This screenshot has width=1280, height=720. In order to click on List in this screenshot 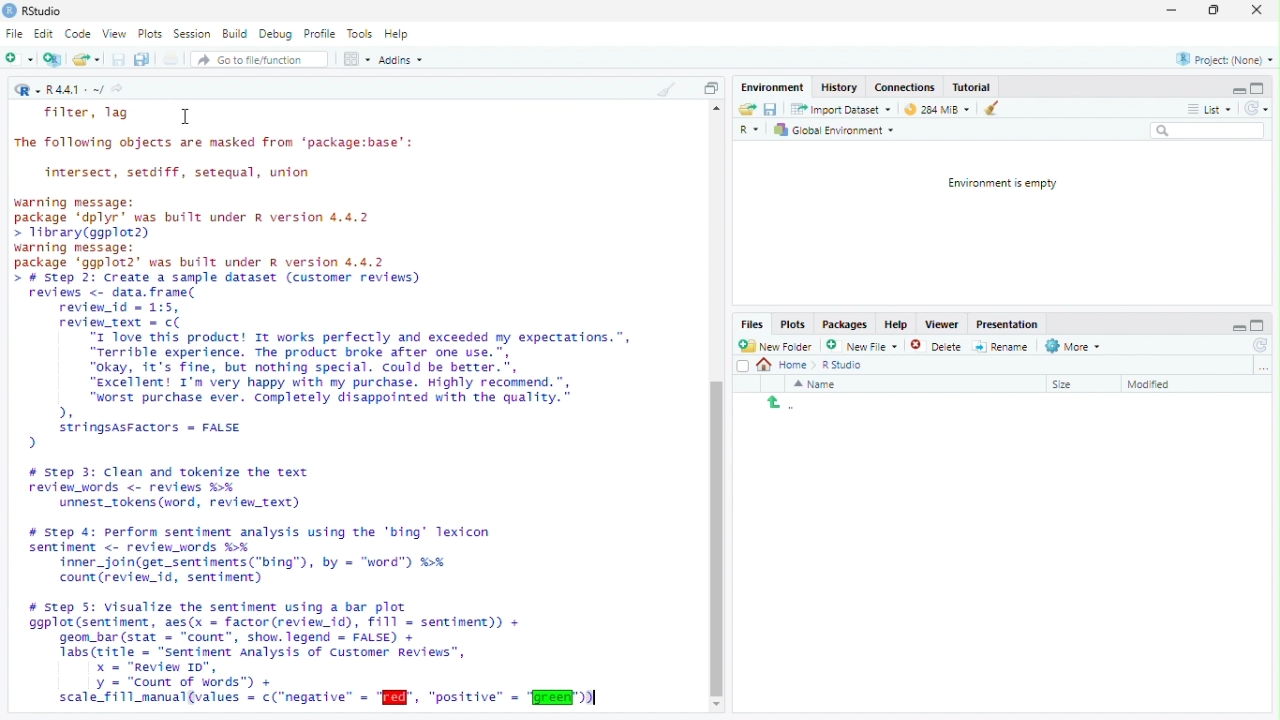, I will do `click(1209, 107)`.